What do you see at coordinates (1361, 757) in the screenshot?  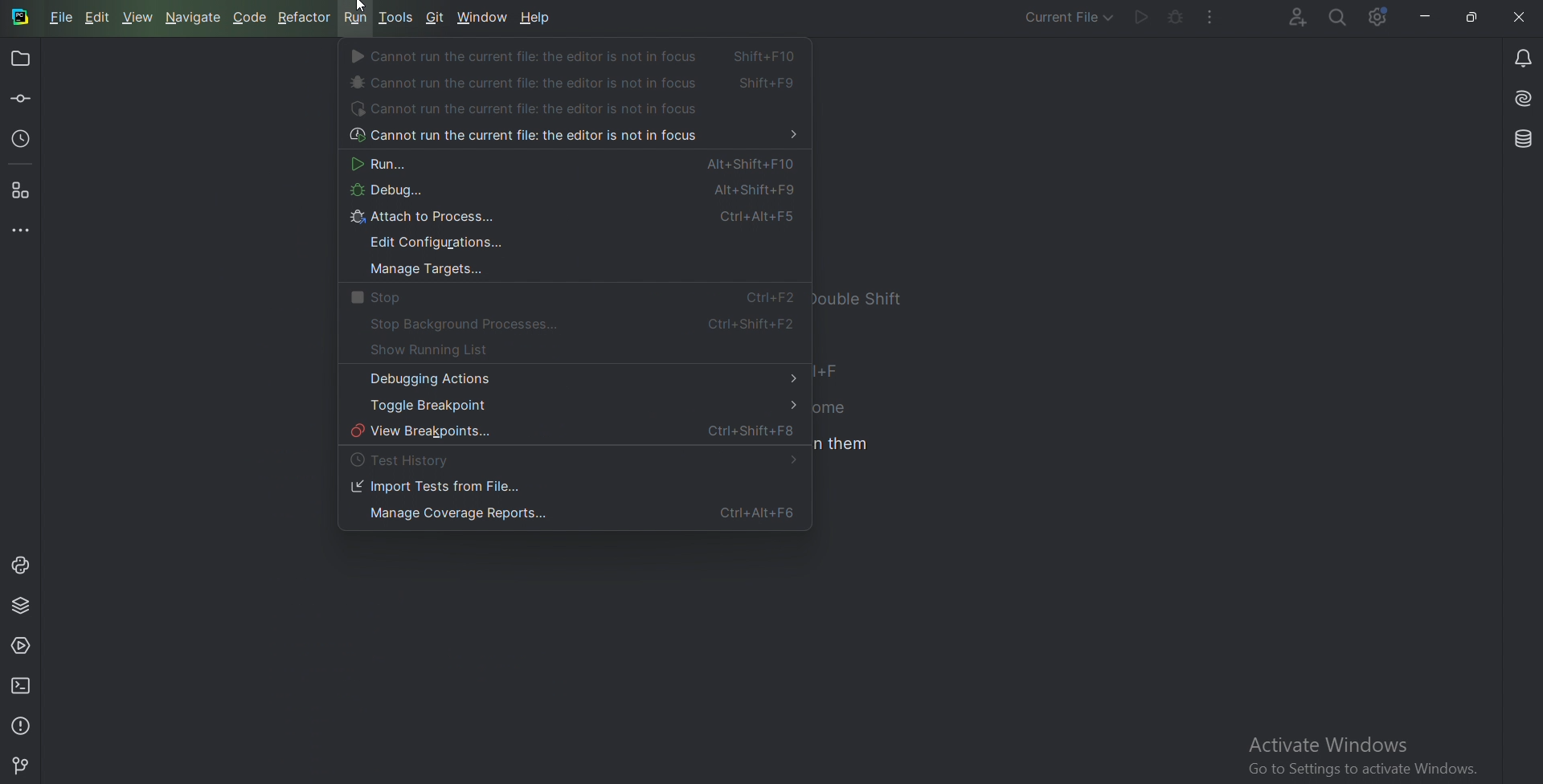 I see `Windows information` at bounding box center [1361, 757].